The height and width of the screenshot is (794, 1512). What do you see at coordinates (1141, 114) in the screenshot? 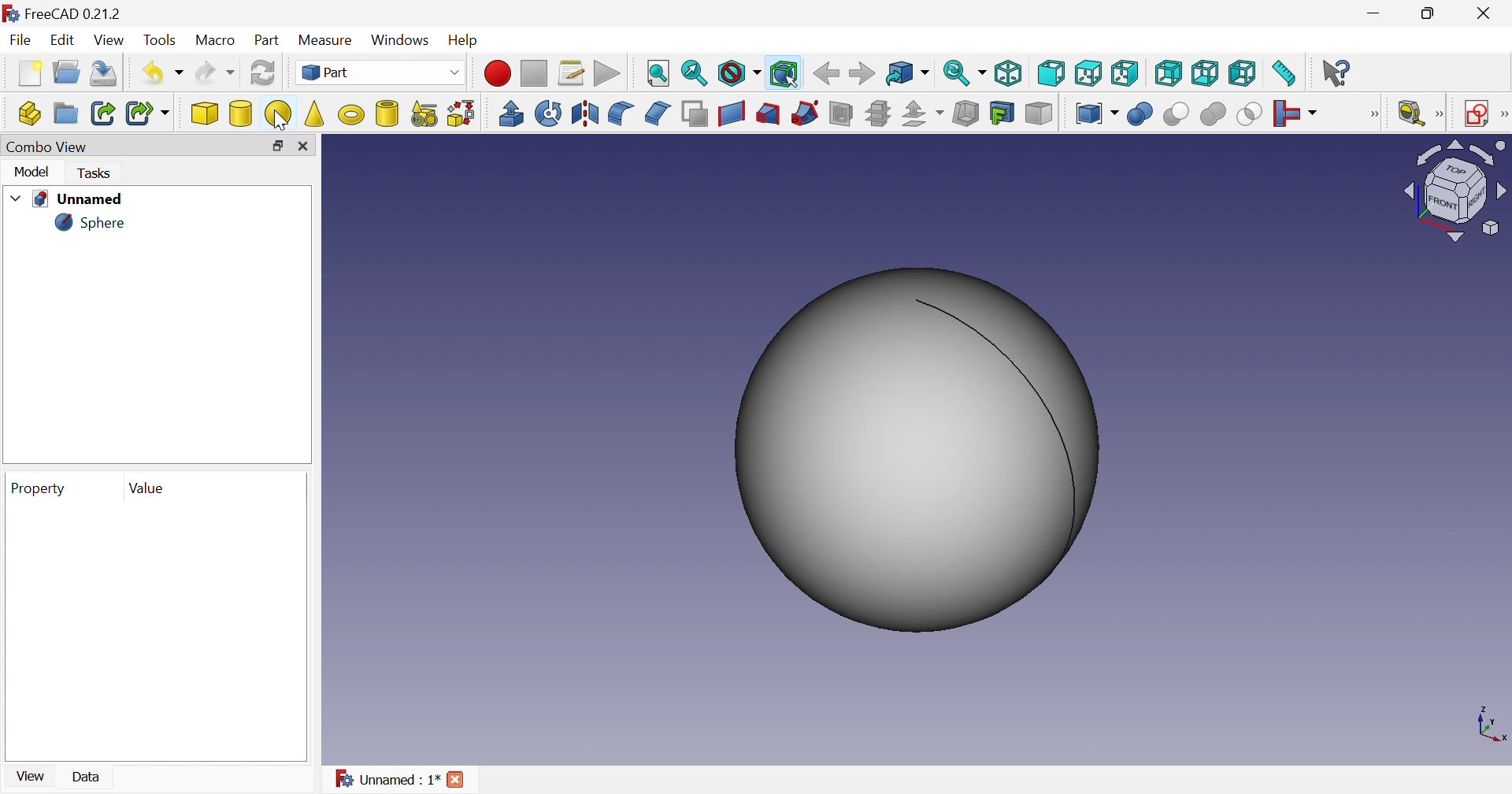
I see `Boolean` at bounding box center [1141, 114].